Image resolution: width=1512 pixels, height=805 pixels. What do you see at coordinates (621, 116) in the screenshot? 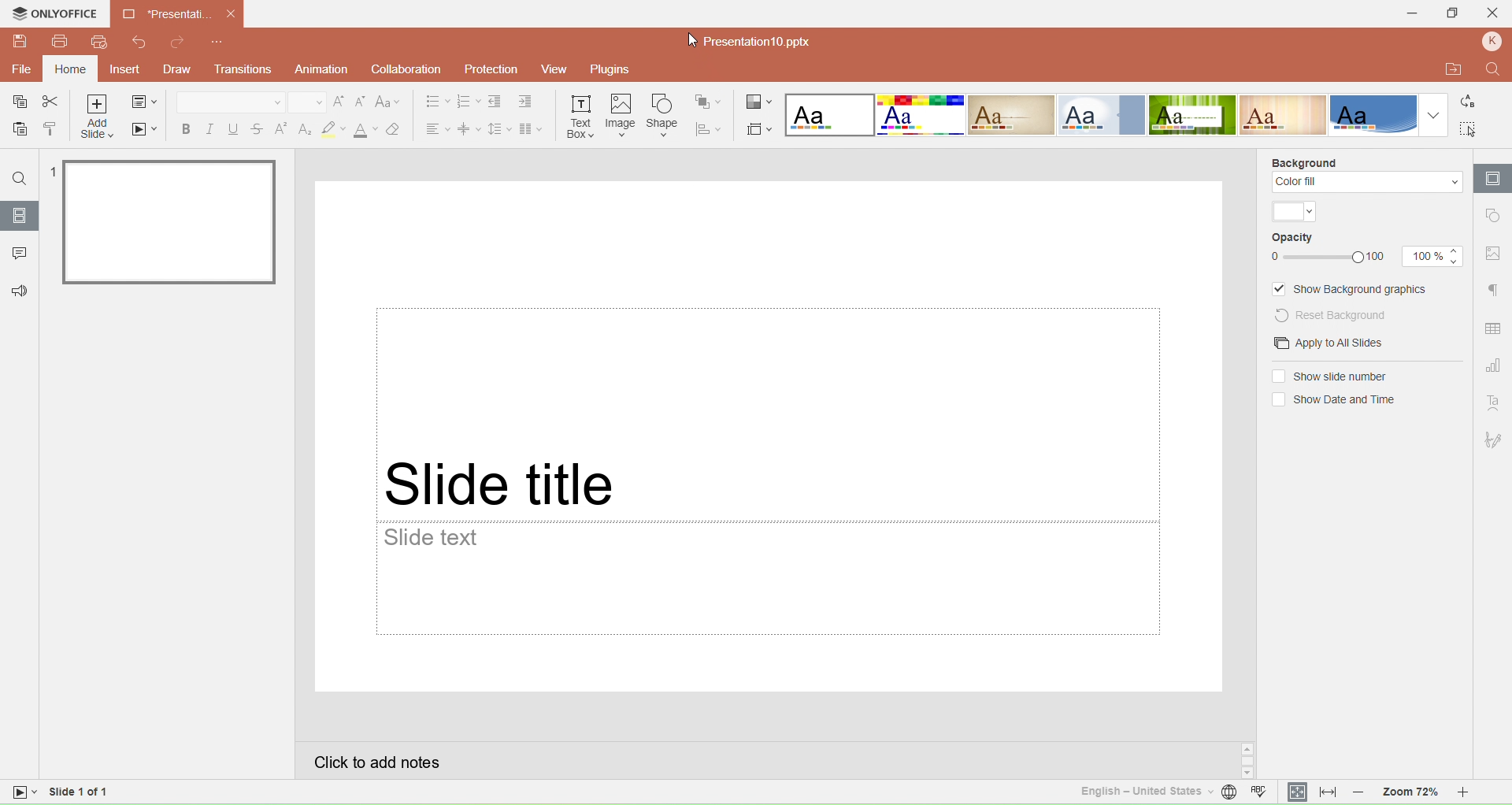
I see `Insert image` at bounding box center [621, 116].